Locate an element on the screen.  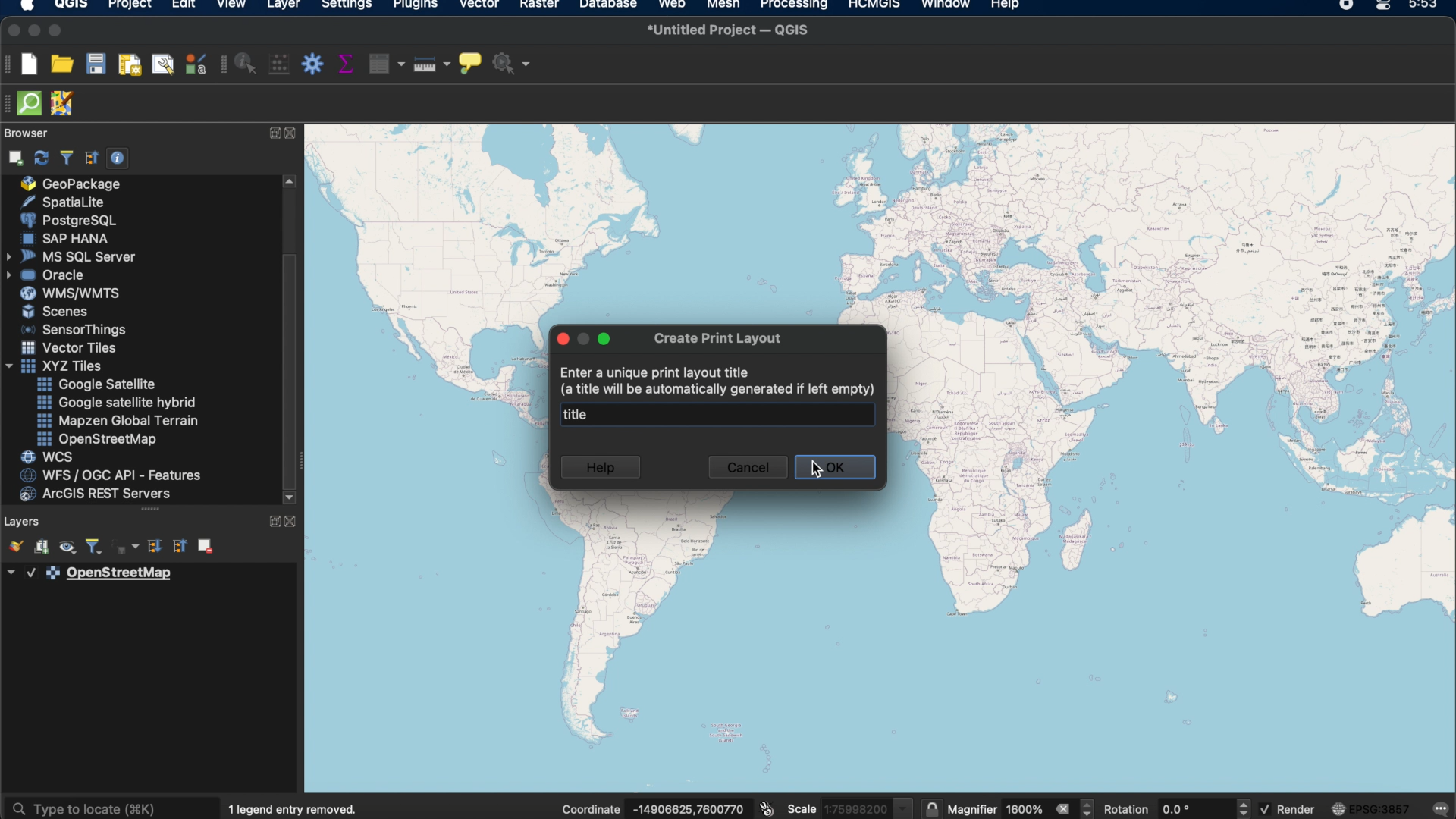
new print layout is located at coordinates (130, 65).